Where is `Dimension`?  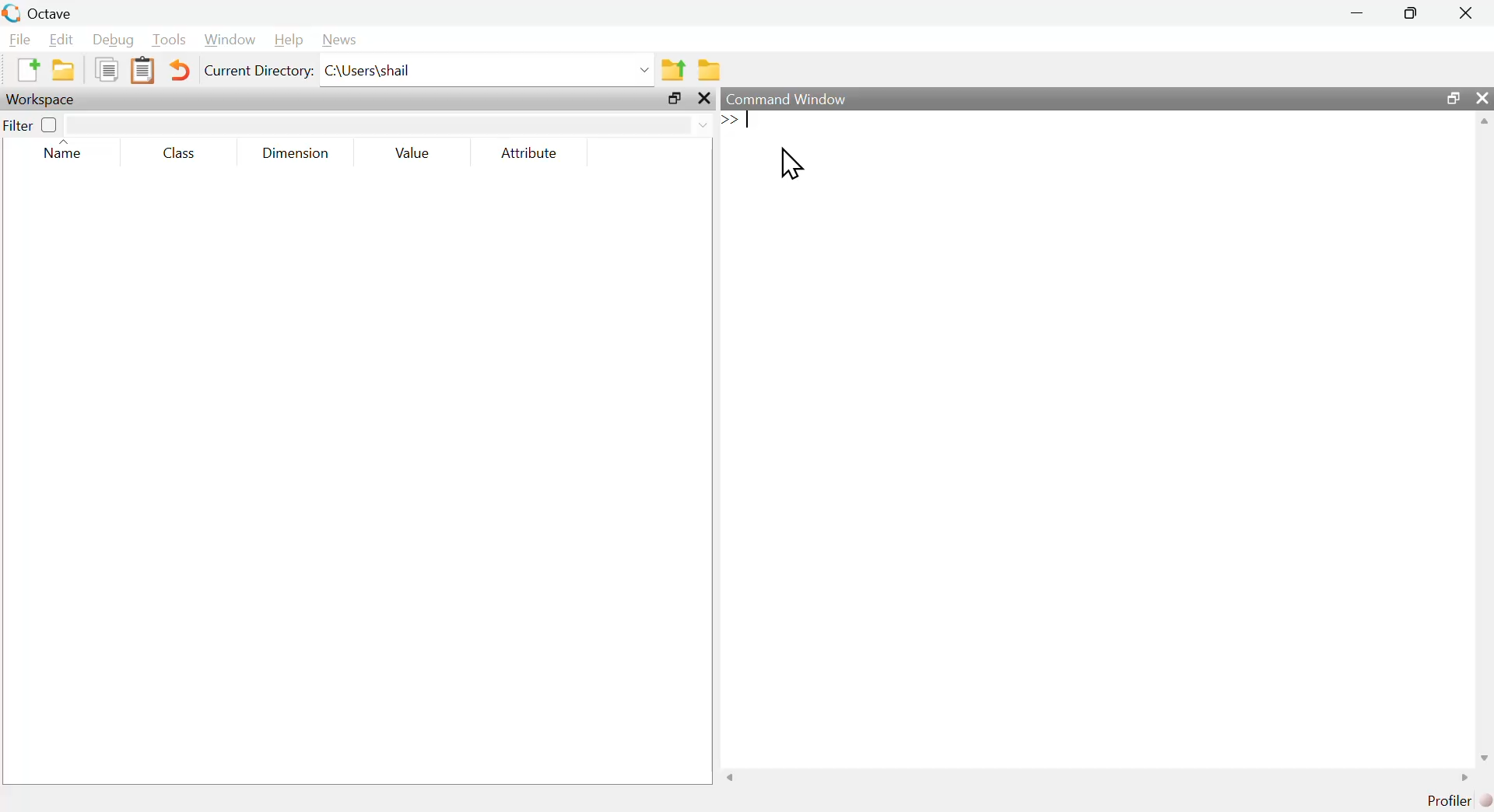 Dimension is located at coordinates (299, 156).